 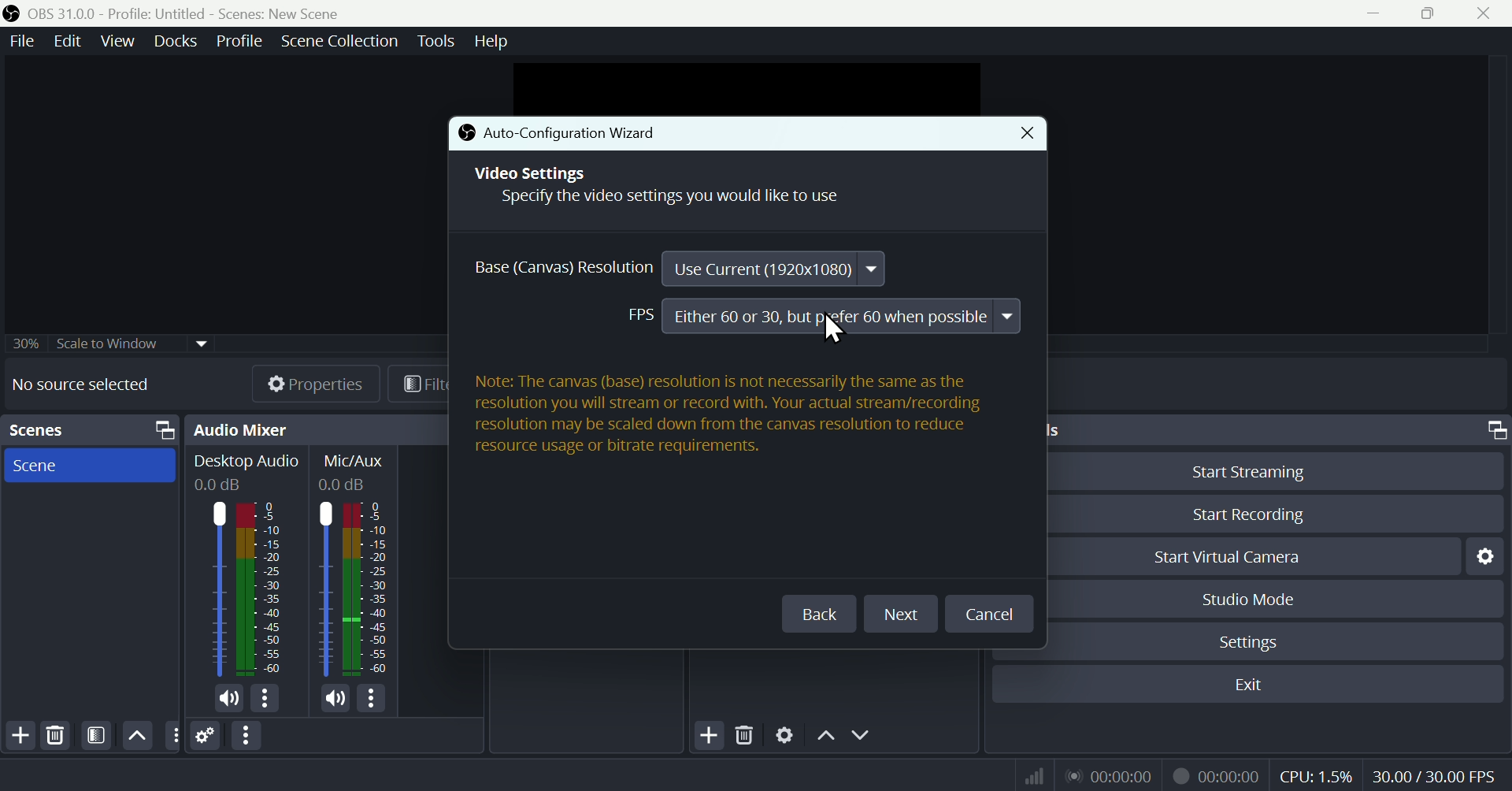 I want to click on cursor, so click(x=832, y=330).